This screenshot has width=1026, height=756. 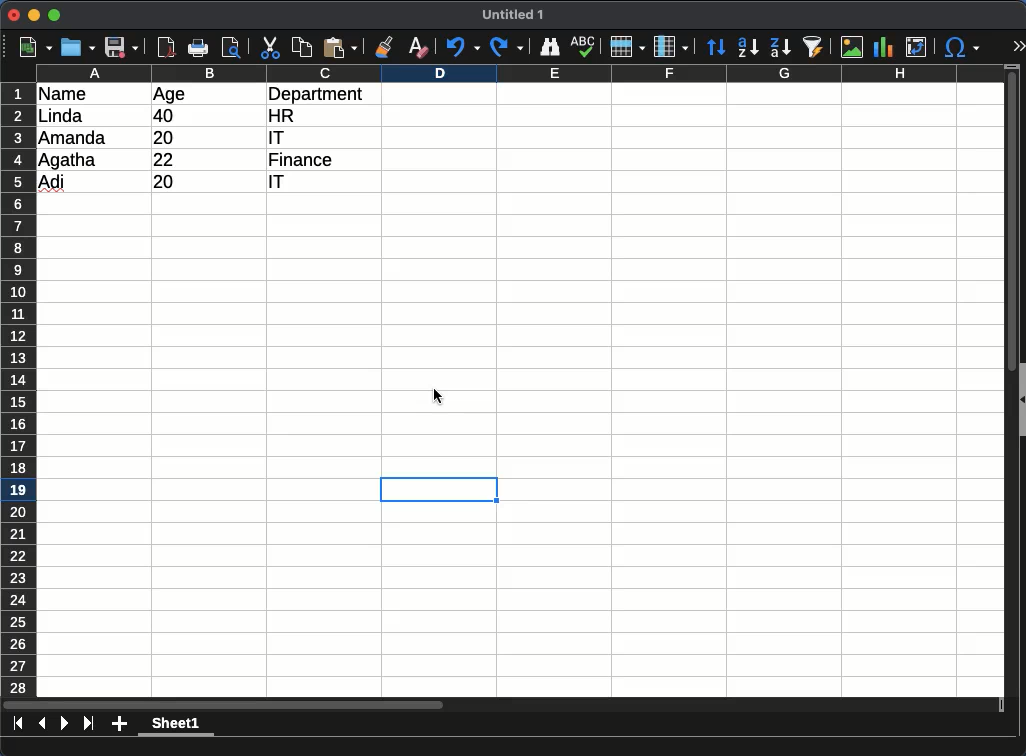 I want to click on redo, so click(x=505, y=47).